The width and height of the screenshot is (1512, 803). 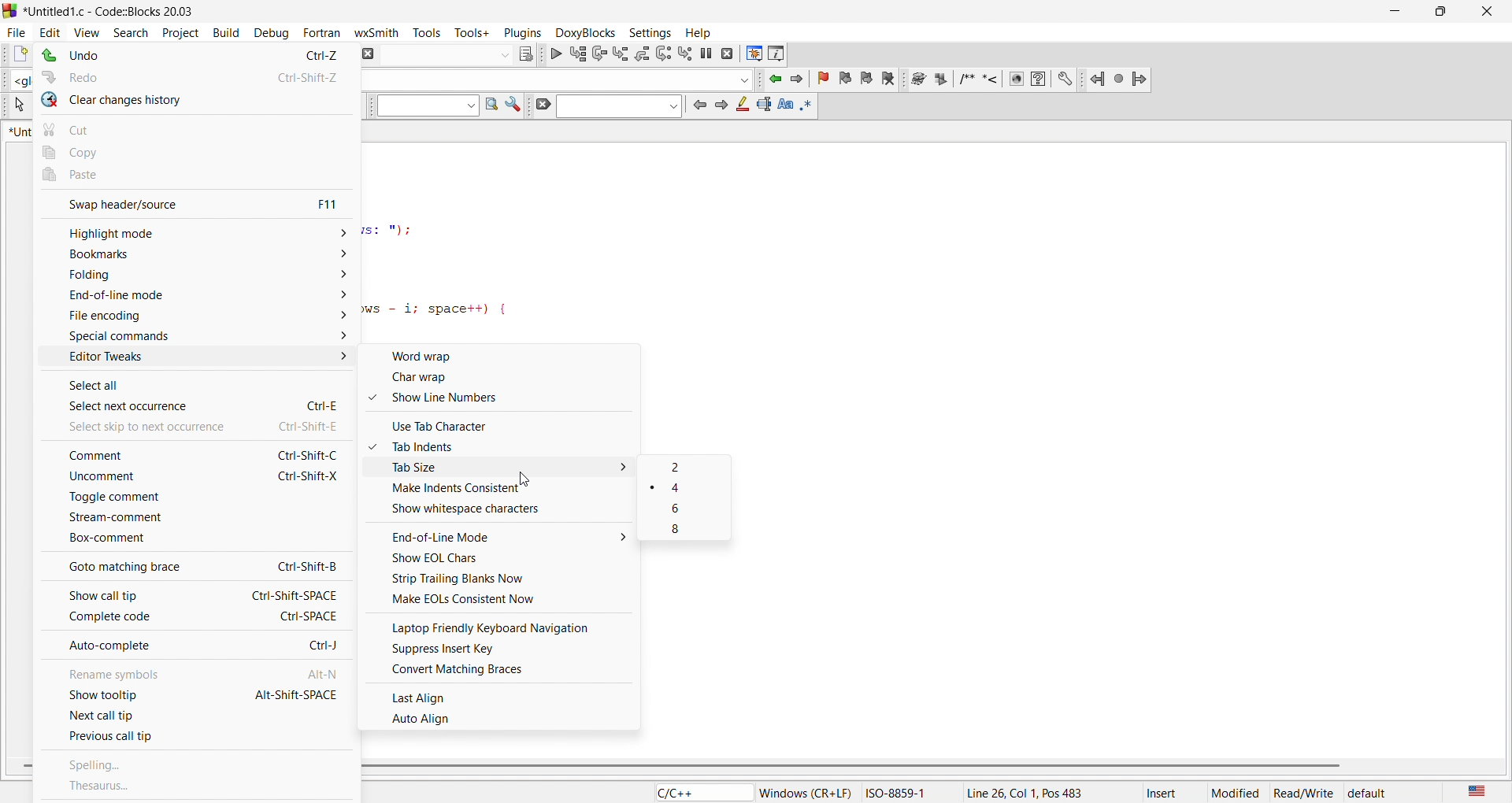 What do you see at coordinates (650, 29) in the screenshot?
I see `settings` at bounding box center [650, 29].